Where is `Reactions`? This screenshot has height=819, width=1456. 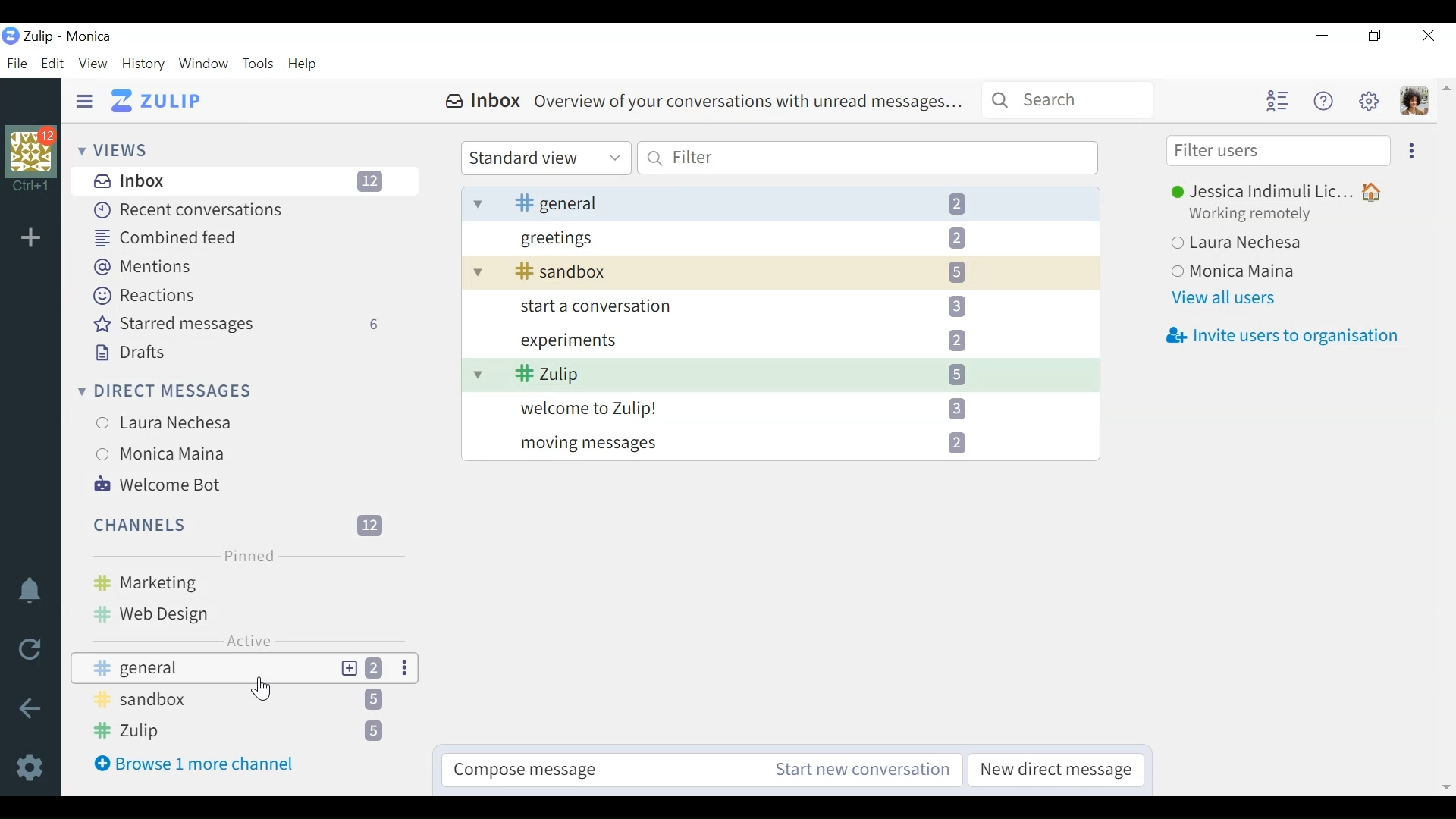
Reactions is located at coordinates (147, 296).